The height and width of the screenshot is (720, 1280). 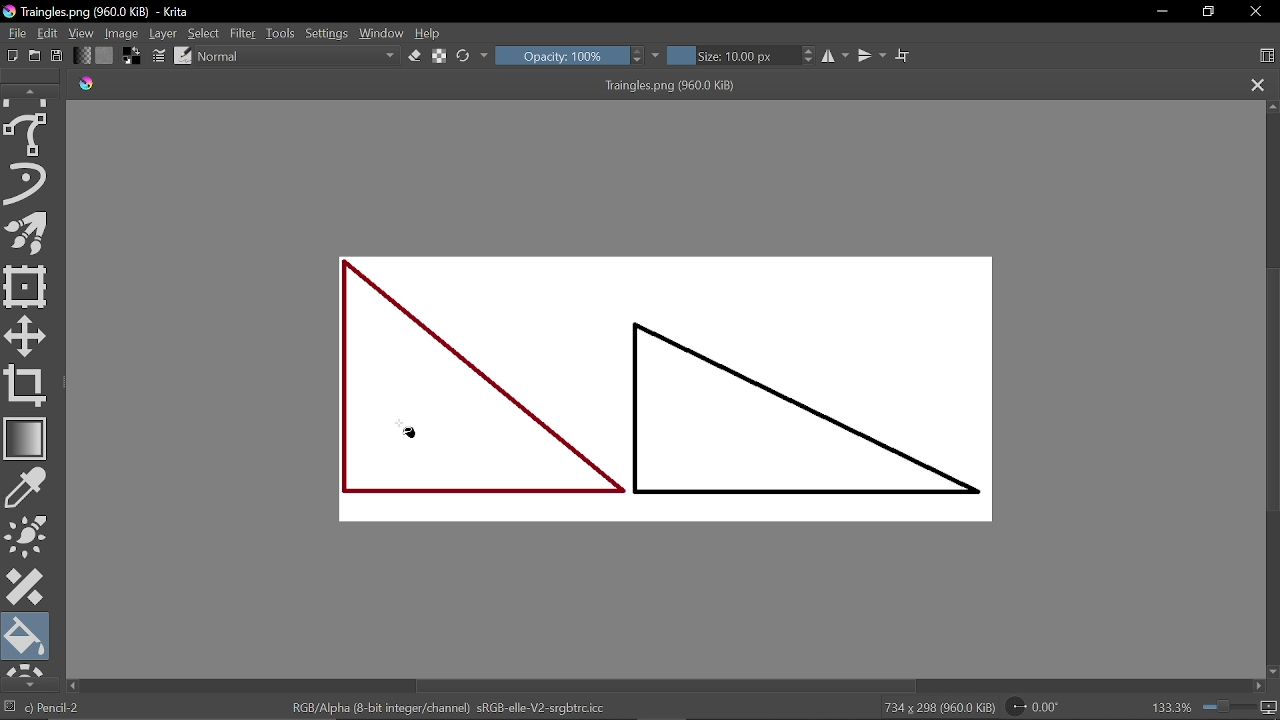 What do you see at coordinates (741, 56) in the screenshot?
I see `Size: 10.00 px` at bounding box center [741, 56].